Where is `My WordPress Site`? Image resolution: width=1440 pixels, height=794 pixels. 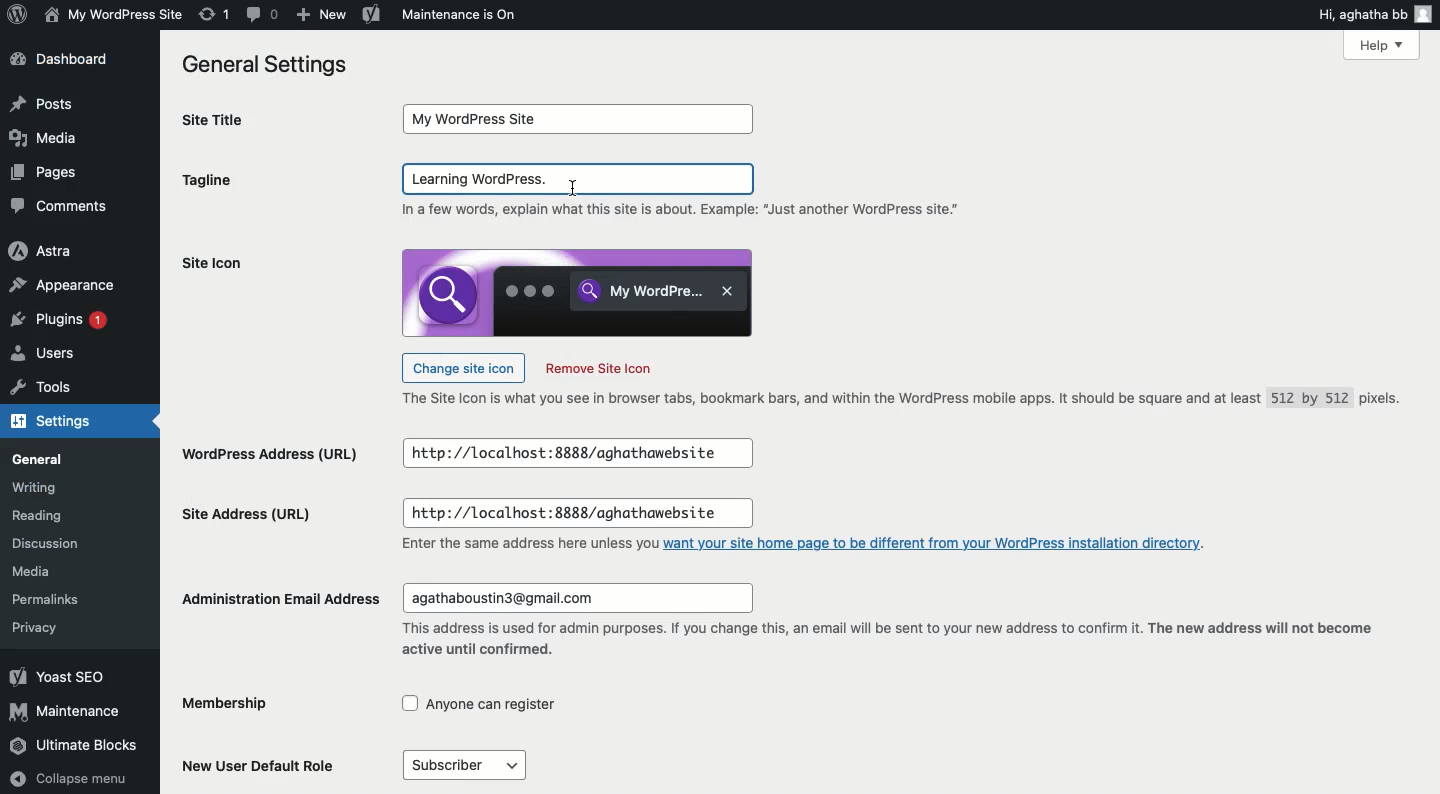 My WordPress Site is located at coordinates (111, 14).